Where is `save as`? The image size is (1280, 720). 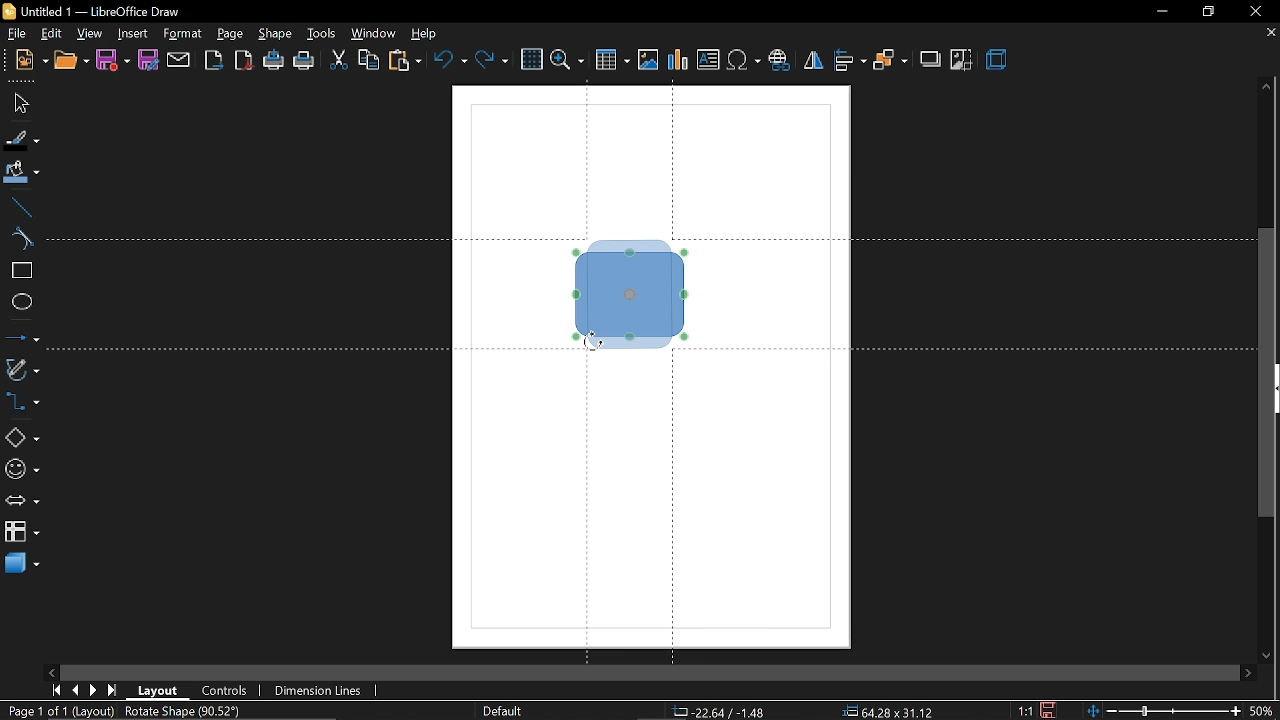
save as is located at coordinates (148, 61).